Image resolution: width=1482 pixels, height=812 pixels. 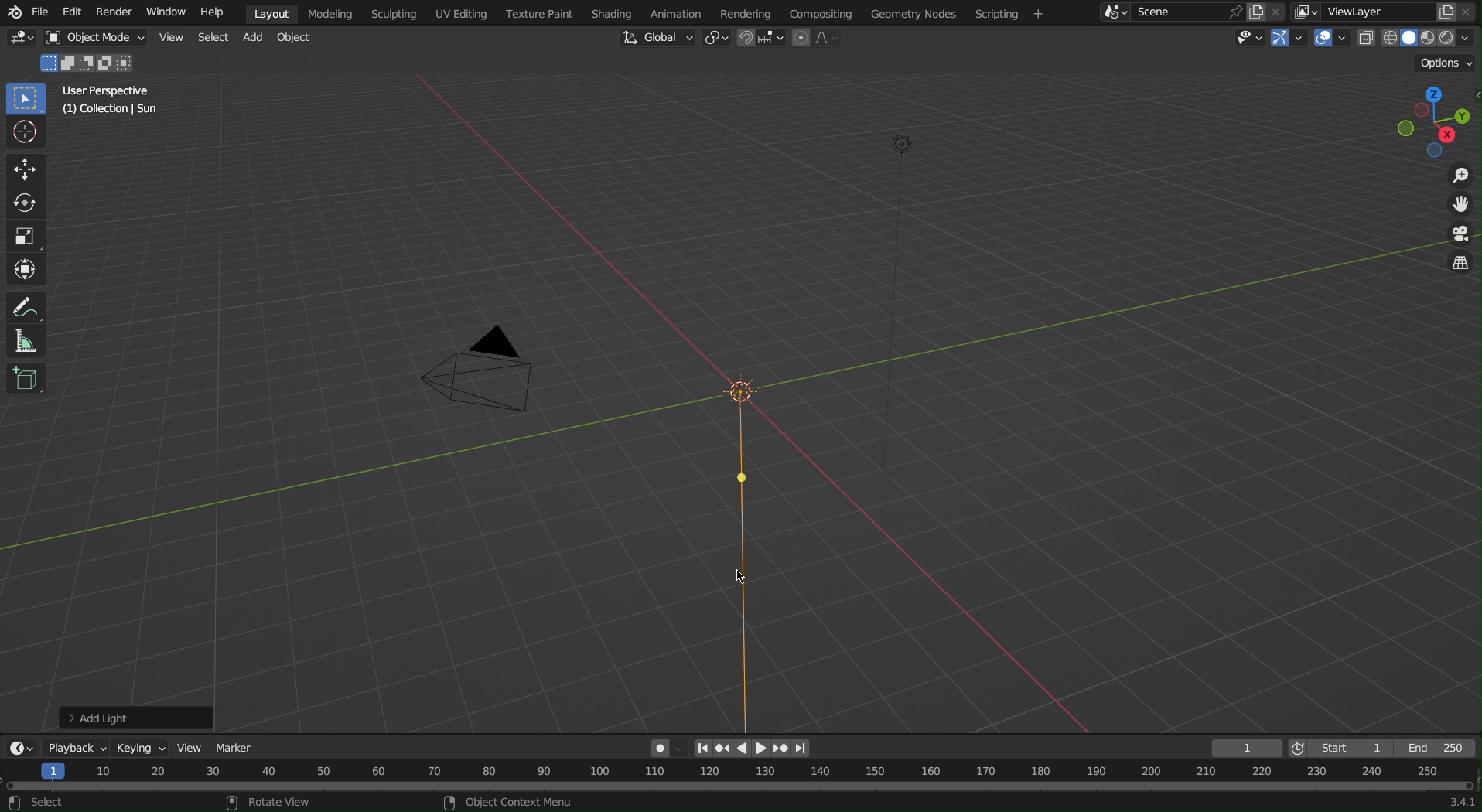 I want to click on Scale, so click(x=26, y=237).